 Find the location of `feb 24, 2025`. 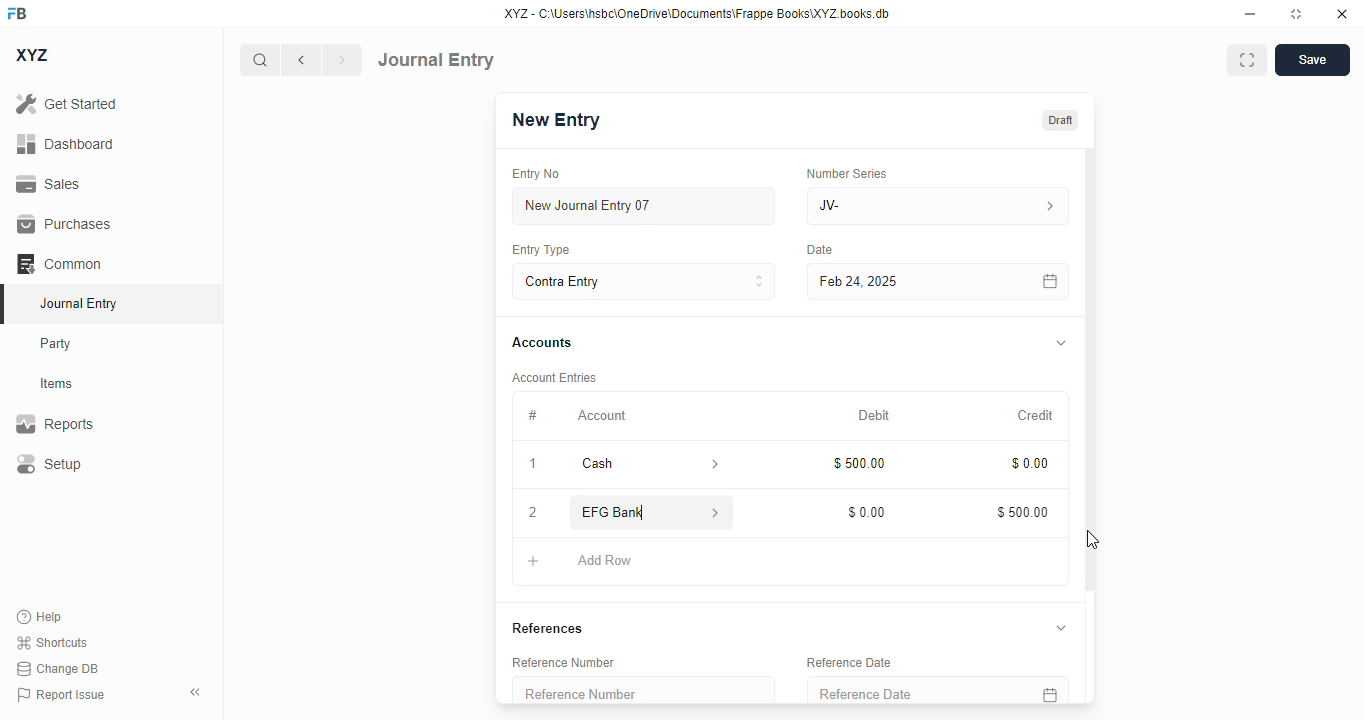

feb 24, 2025 is located at coordinates (895, 282).